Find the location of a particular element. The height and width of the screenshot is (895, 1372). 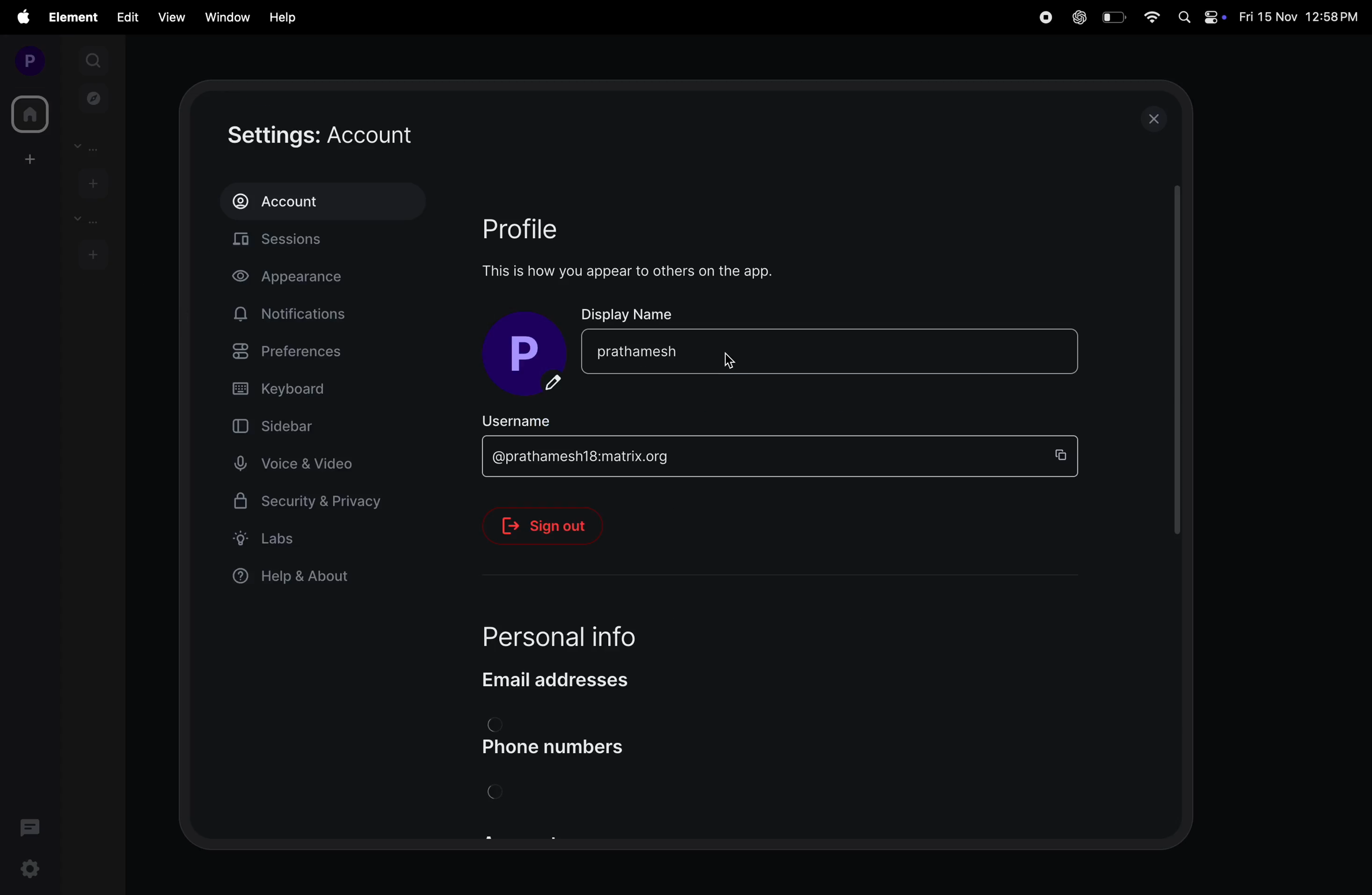

window is located at coordinates (225, 16).